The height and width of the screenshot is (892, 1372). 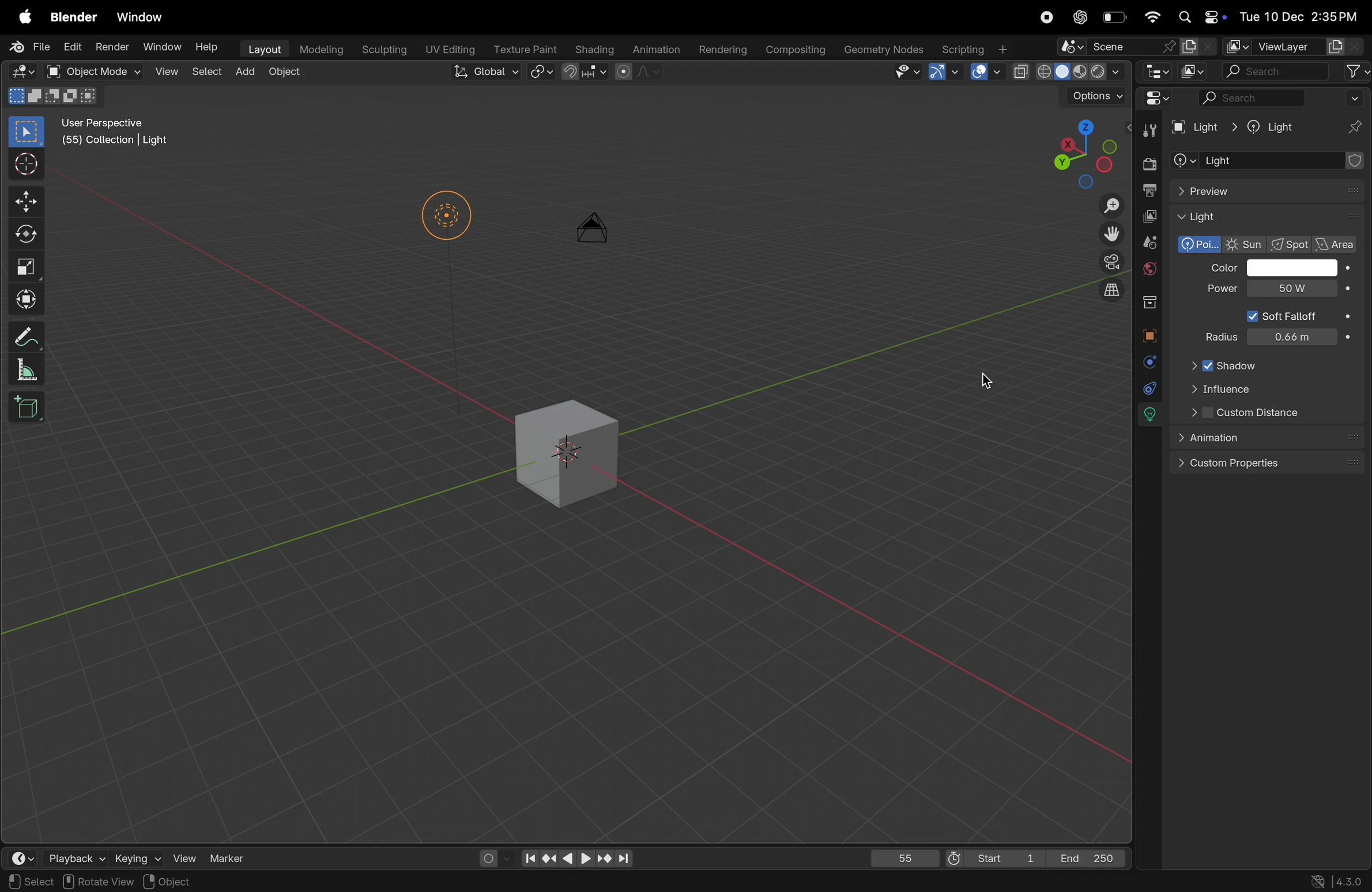 What do you see at coordinates (186, 857) in the screenshot?
I see `view` at bounding box center [186, 857].